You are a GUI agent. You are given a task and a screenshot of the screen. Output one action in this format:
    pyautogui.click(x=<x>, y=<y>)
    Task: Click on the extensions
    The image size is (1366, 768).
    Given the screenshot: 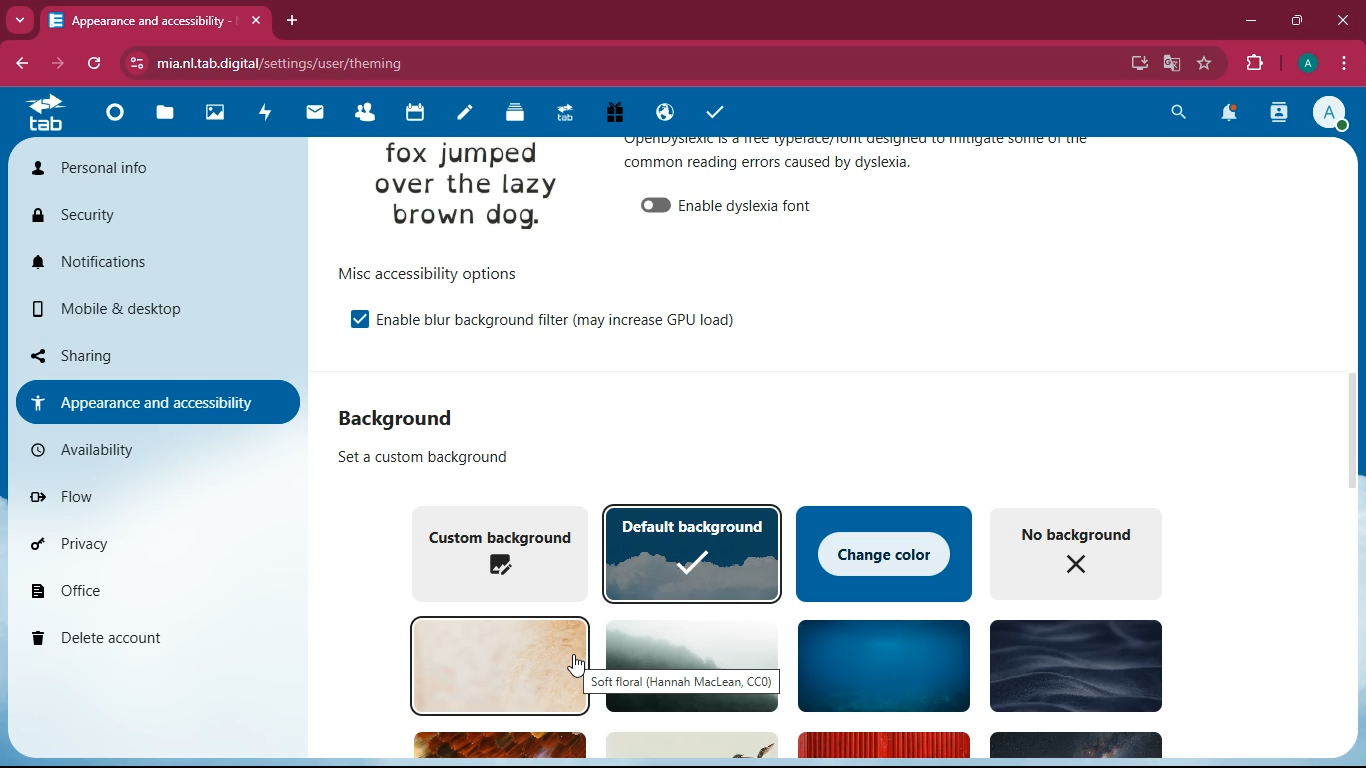 What is the action you would take?
    pyautogui.click(x=1253, y=64)
    